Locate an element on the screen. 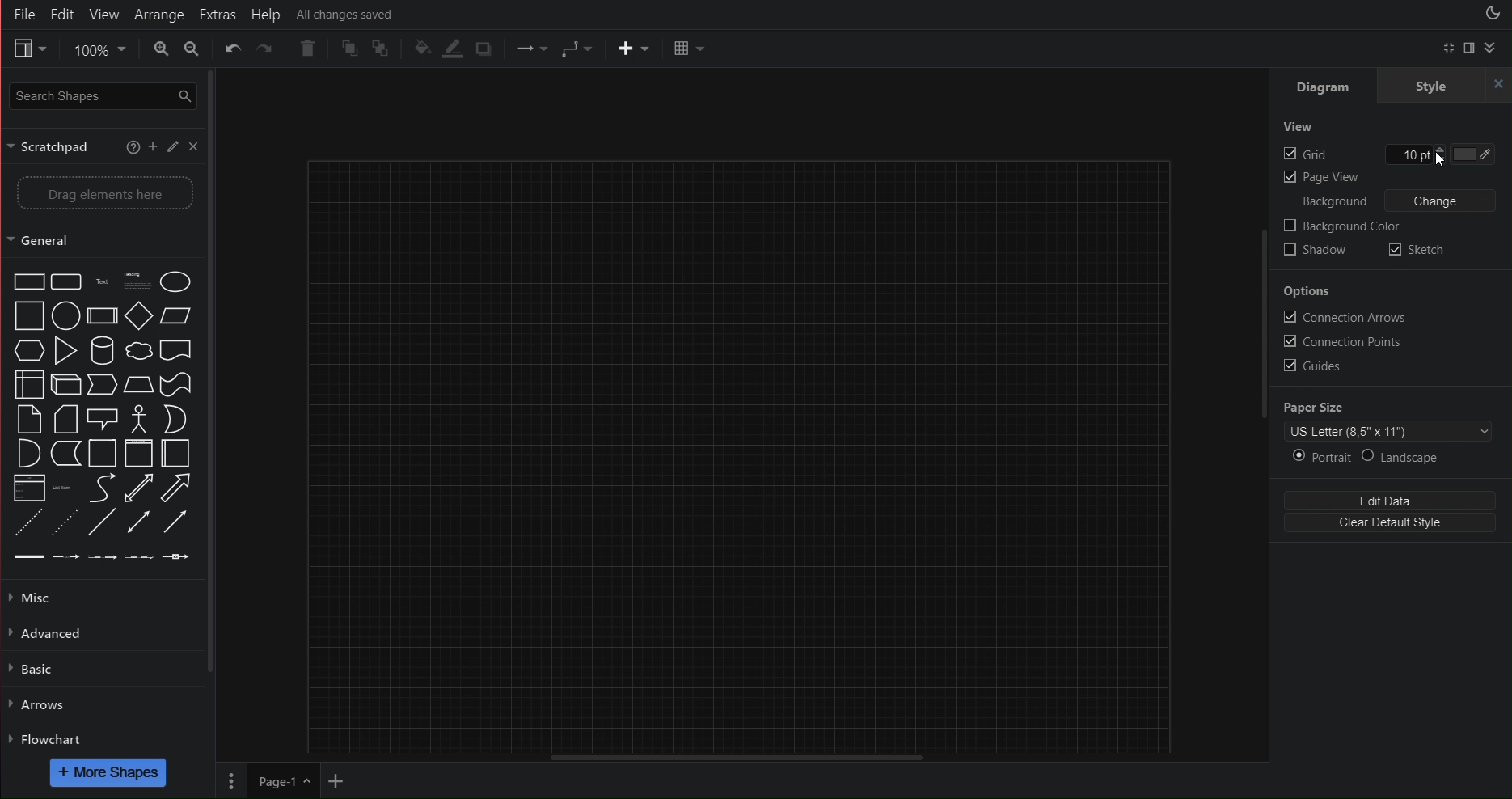 The image size is (1512, 799). Send Front is located at coordinates (350, 49).